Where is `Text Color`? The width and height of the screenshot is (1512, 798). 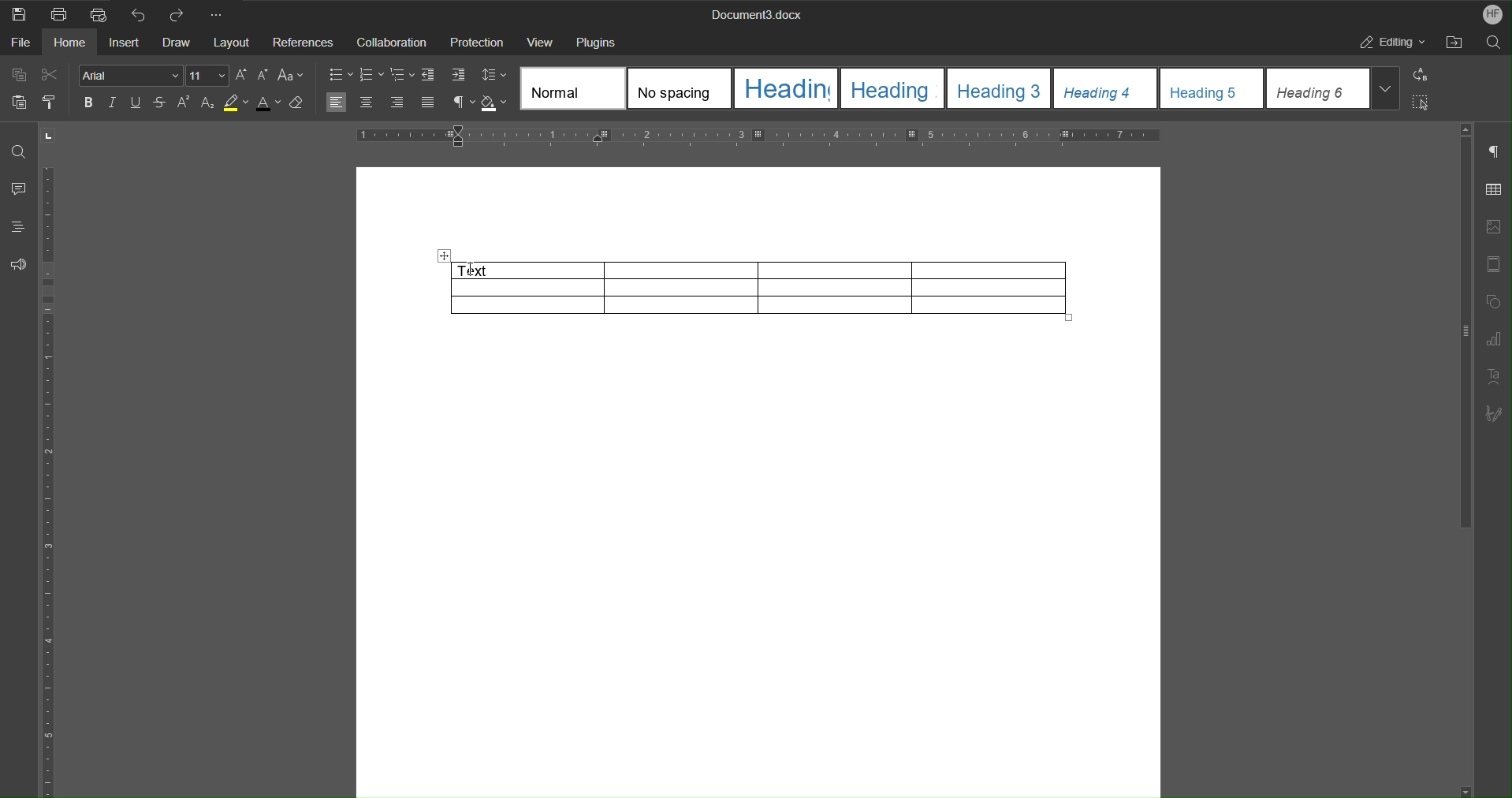 Text Color is located at coordinates (270, 103).